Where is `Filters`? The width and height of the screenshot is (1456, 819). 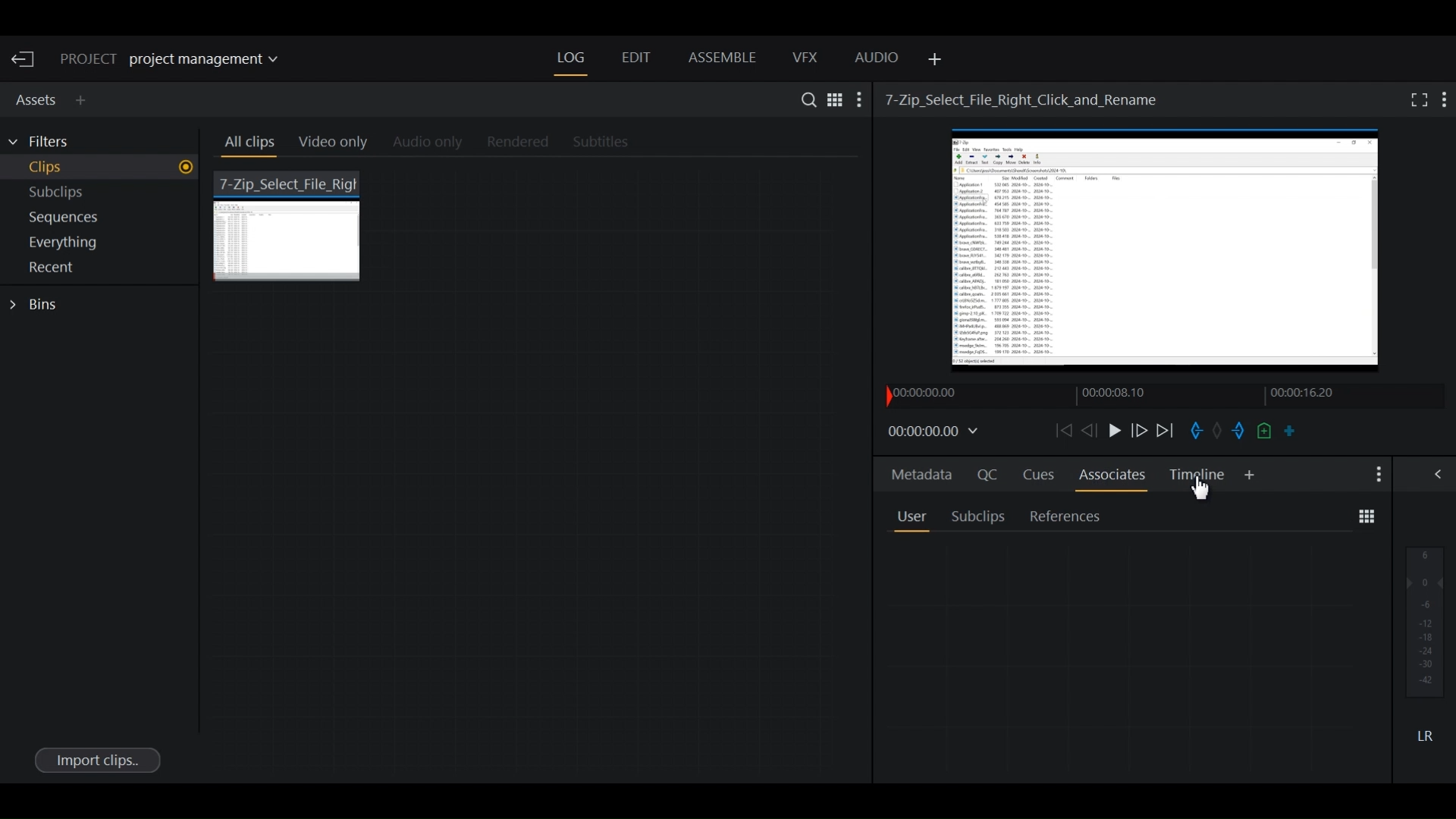
Filters is located at coordinates (47, 142).